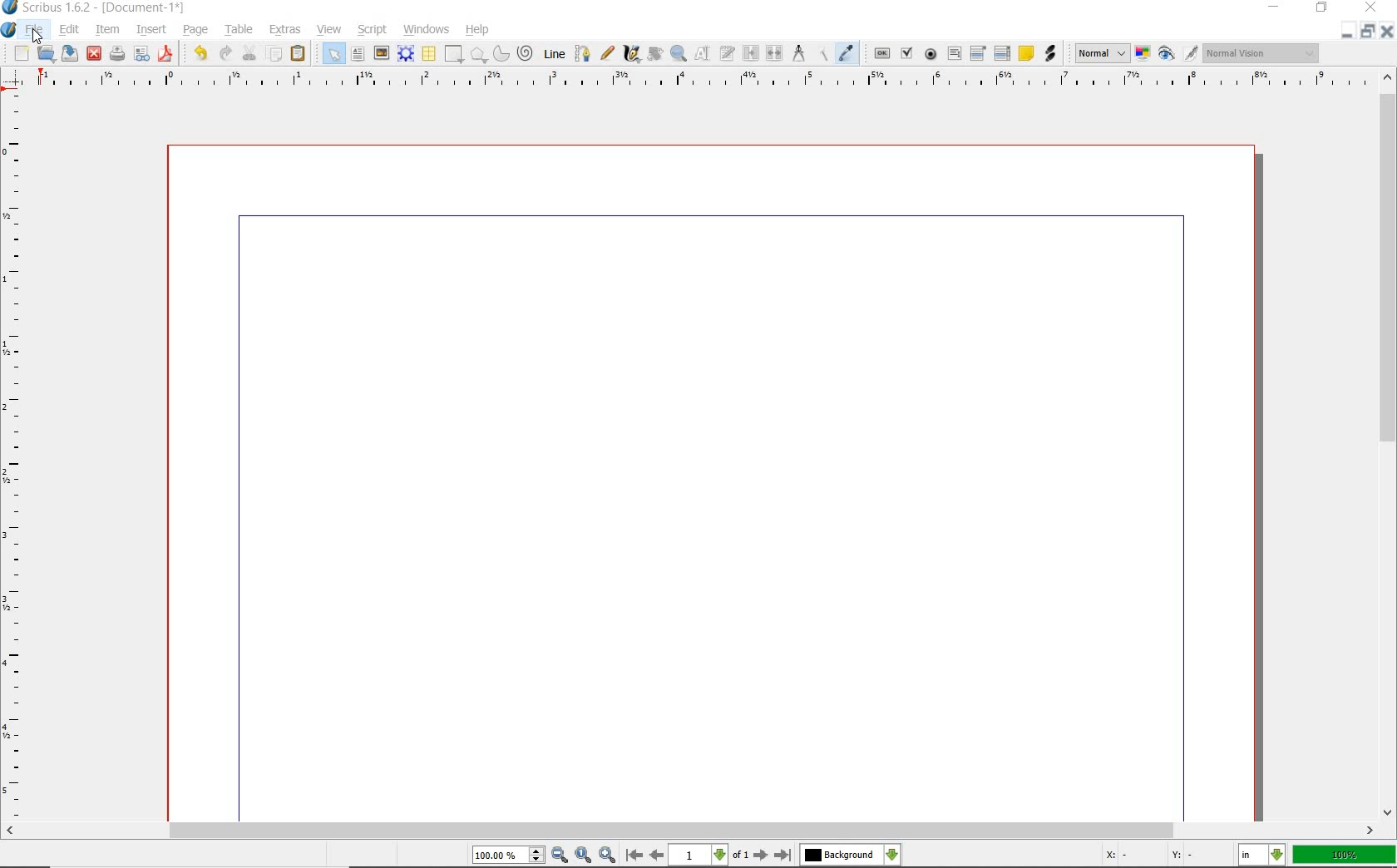 This screenshot has height=868, width=1397. Describe the element at coordinates (38, 38) in the screenshot. I see `cursor` at that location.